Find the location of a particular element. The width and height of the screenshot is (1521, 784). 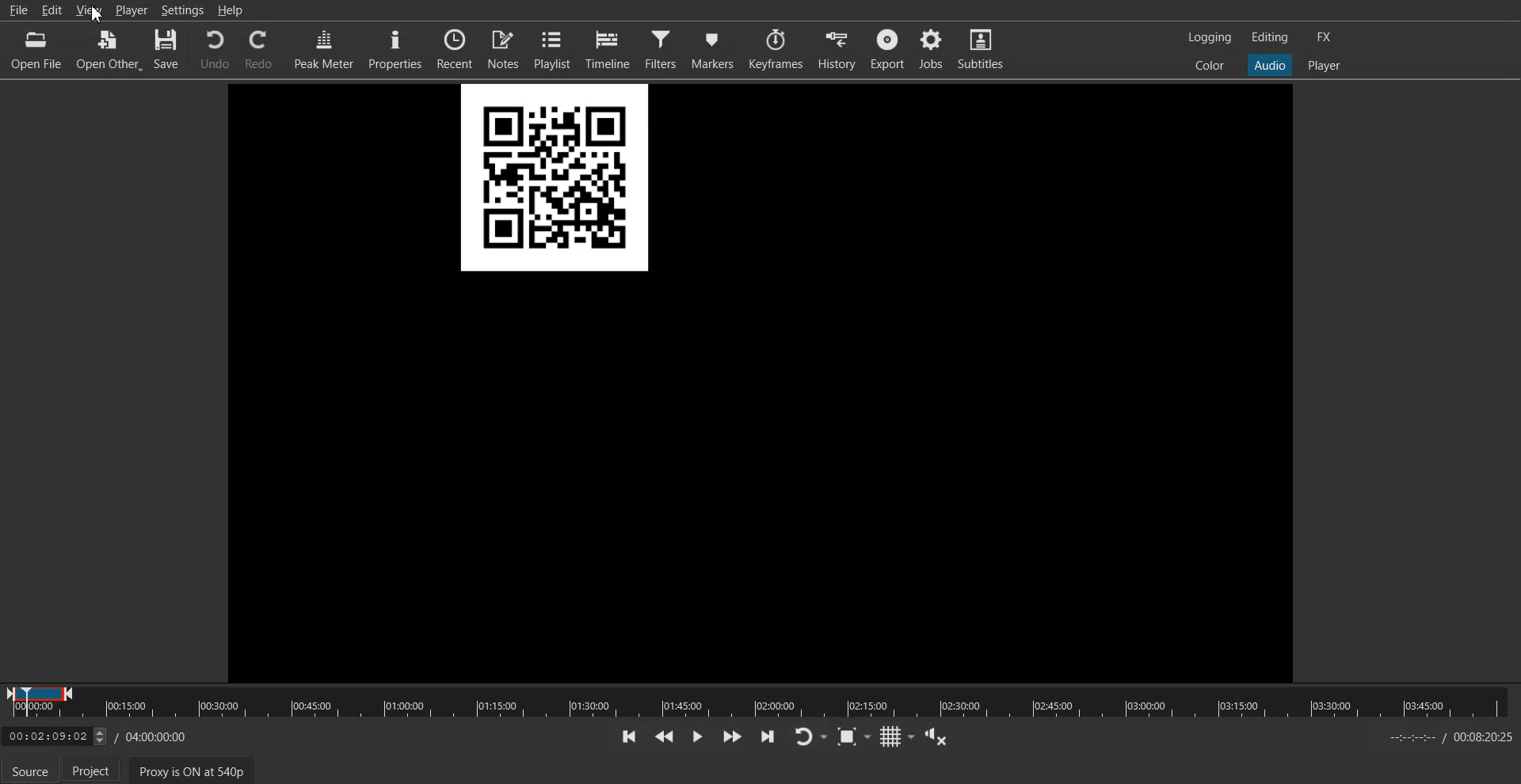

Toggle play or pause is located at coordinates (698, 736).